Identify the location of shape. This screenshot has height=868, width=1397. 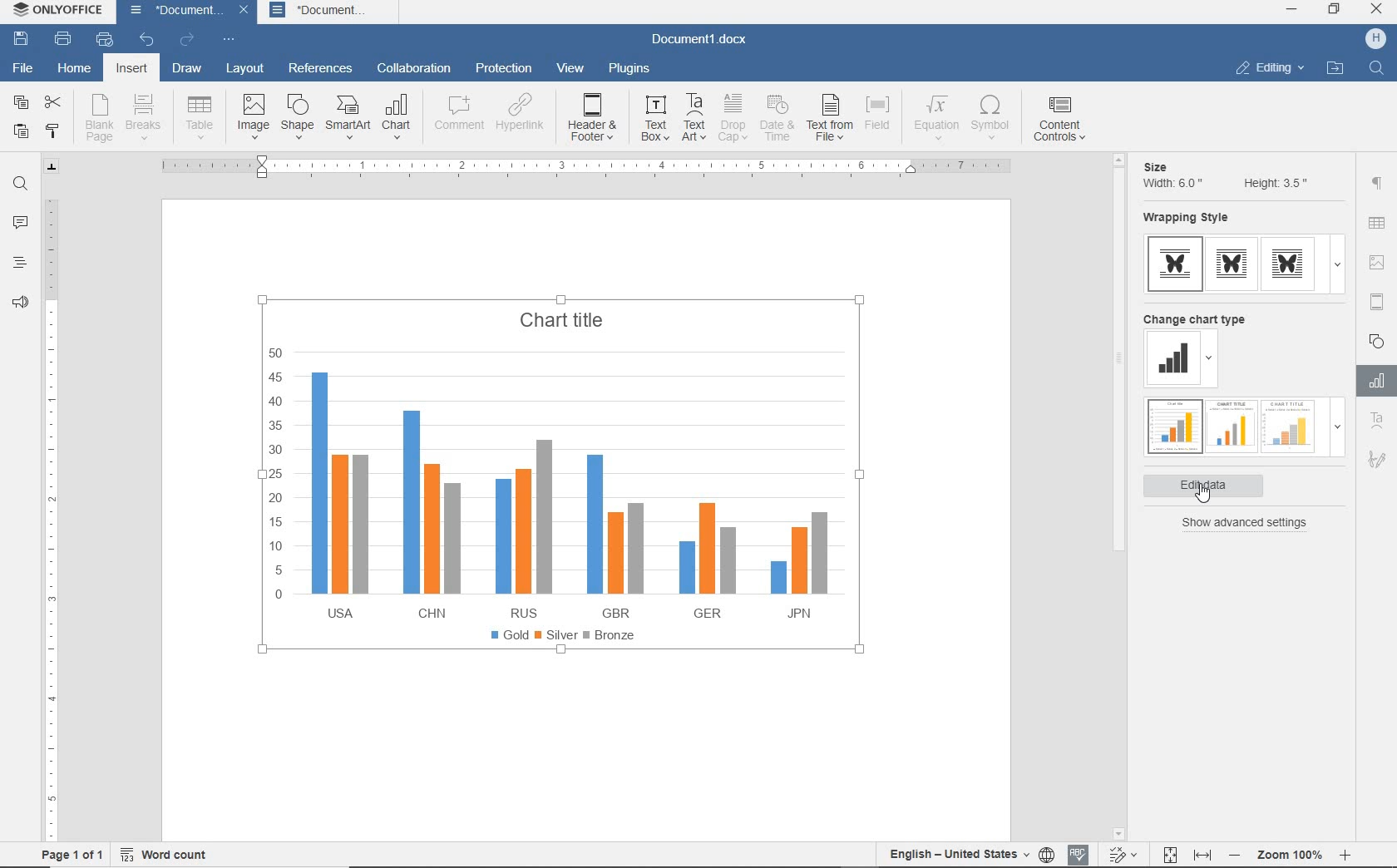
(1376, 341).